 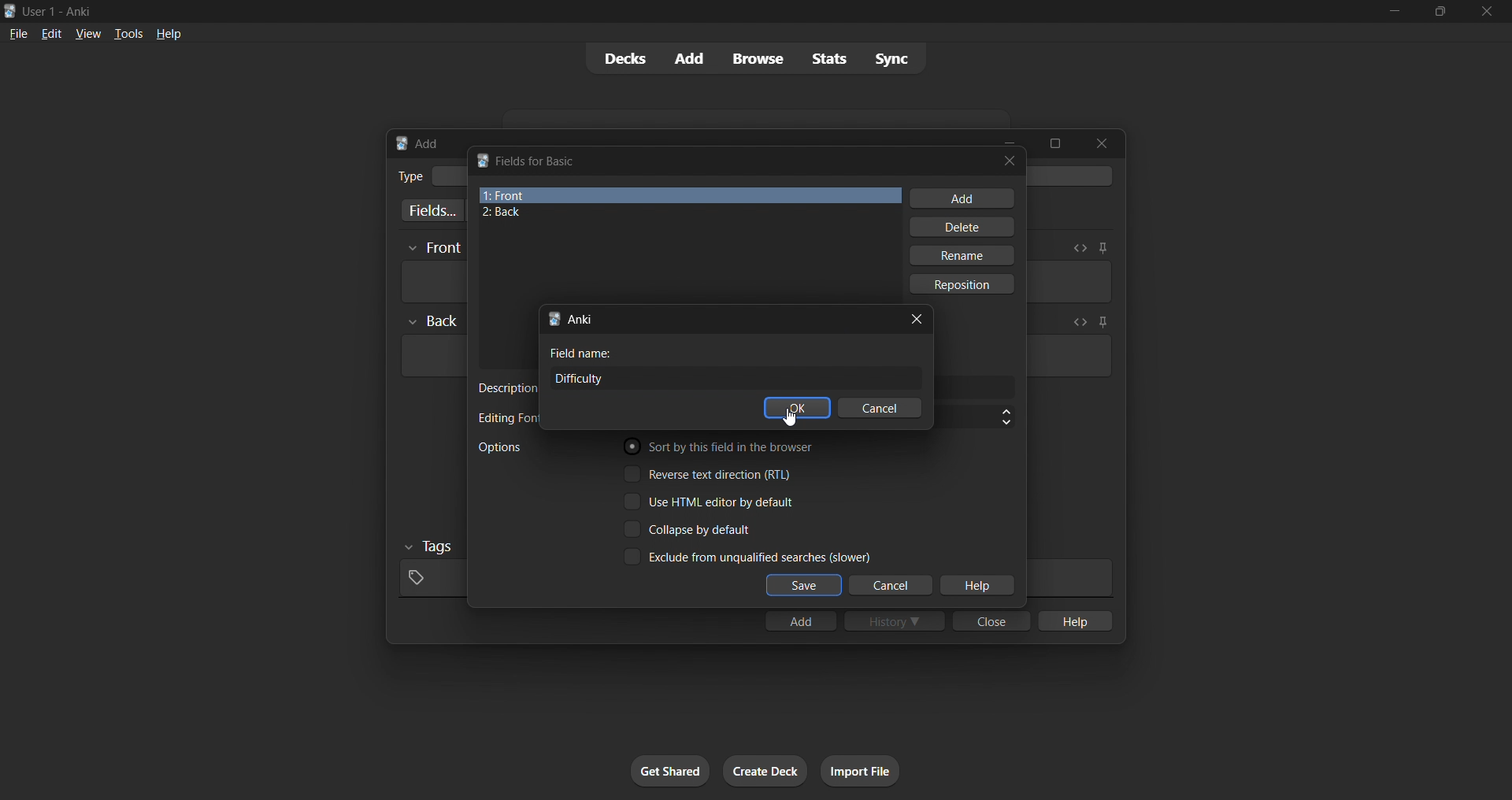 I want to click on decks, so click(x=623, y=59).